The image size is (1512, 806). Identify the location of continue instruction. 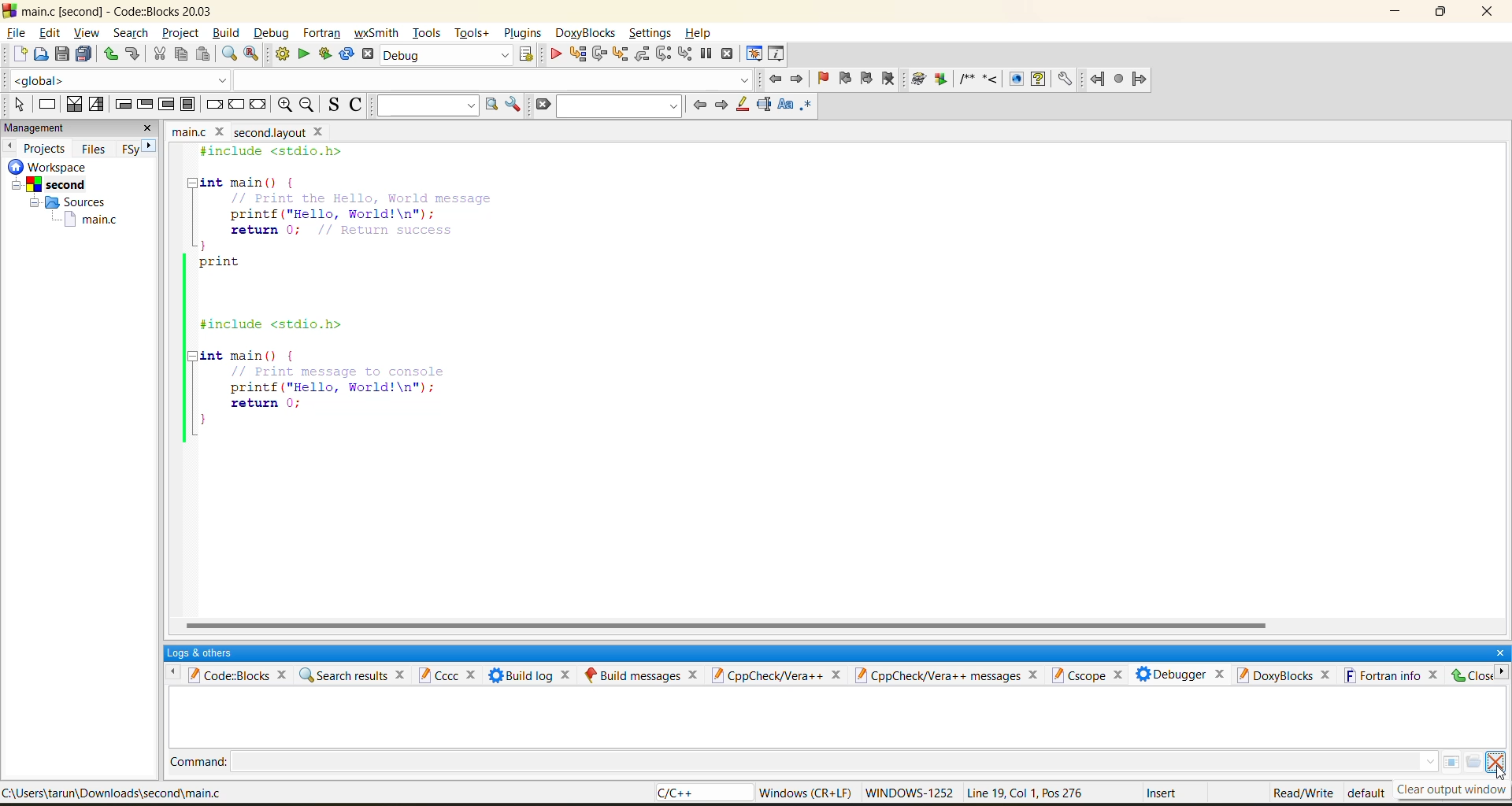
(239, 104).